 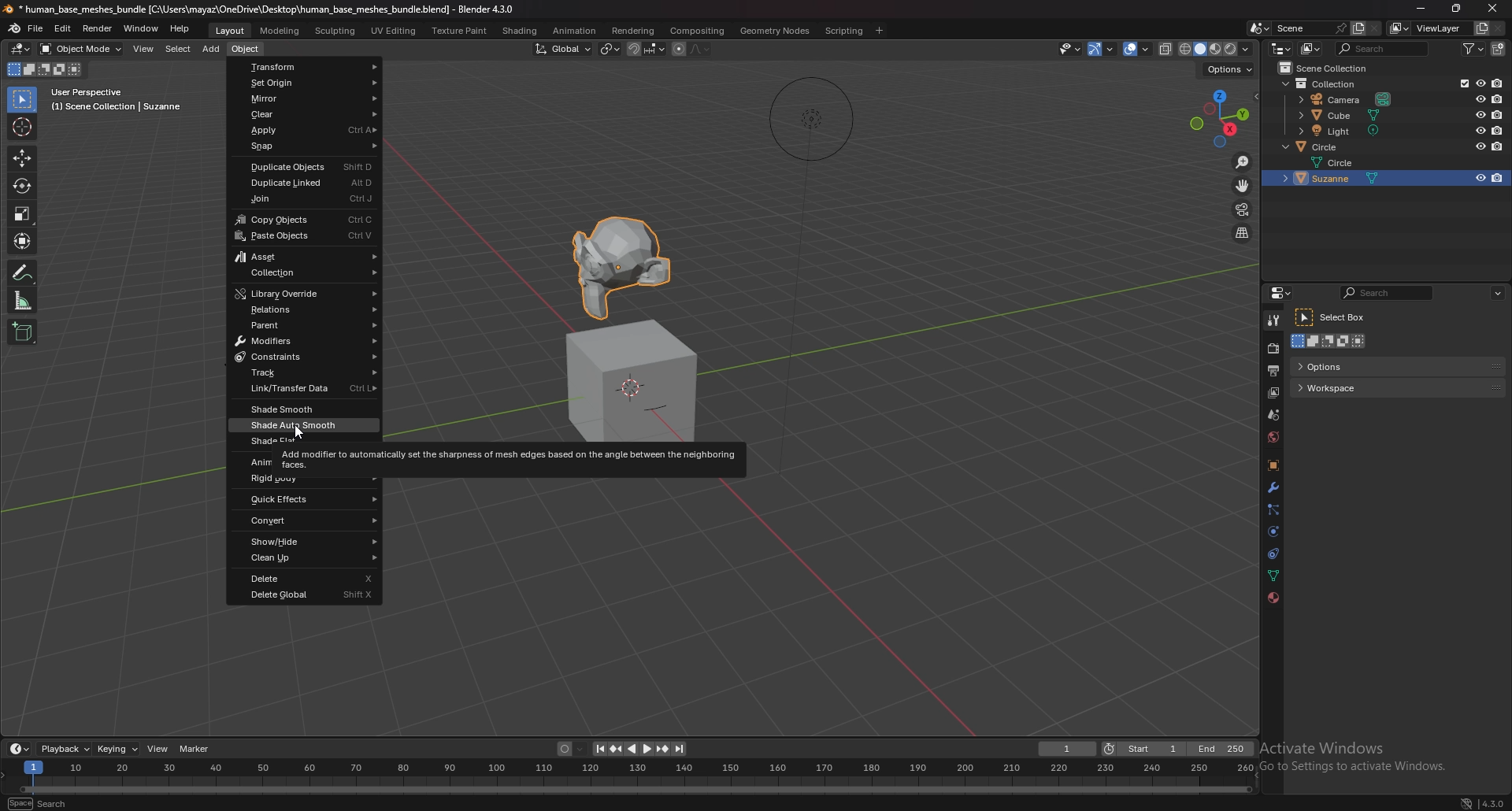 I want to click on animation, so click(x=575, y=31).